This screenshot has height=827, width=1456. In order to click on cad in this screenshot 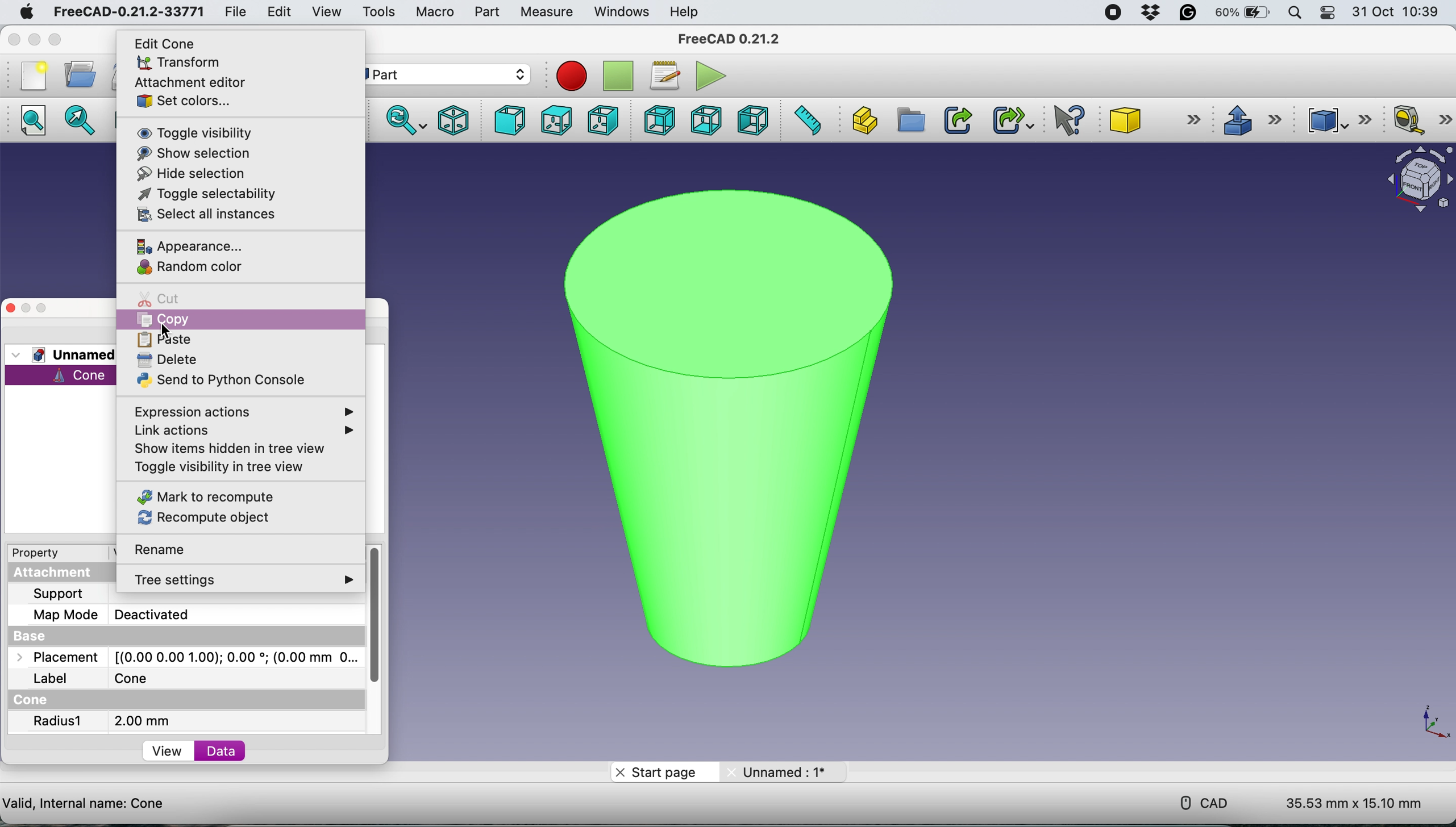, I will do `click(1196, 801)`.